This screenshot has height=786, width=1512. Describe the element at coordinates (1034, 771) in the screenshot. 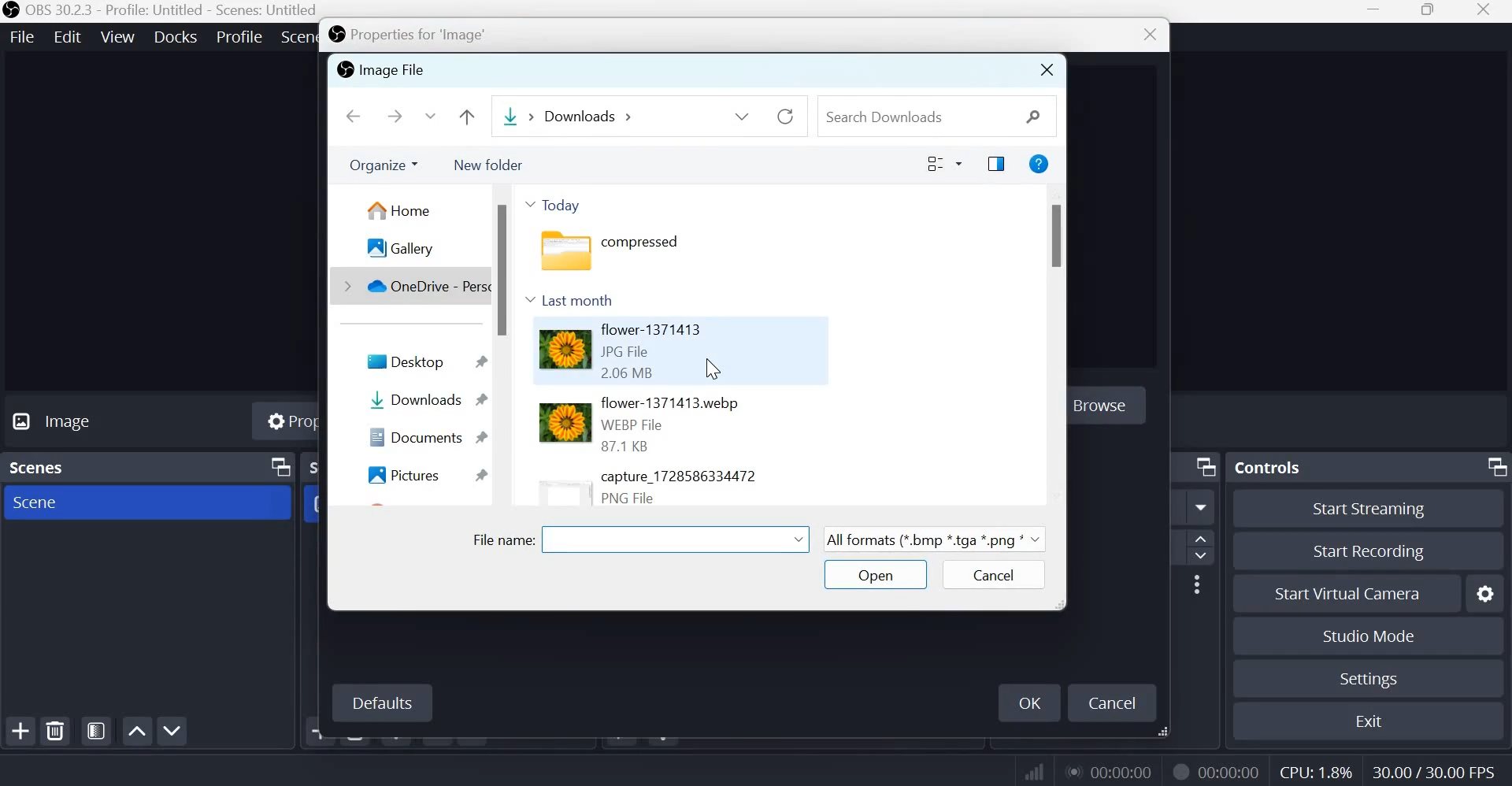

I see `Connection Status Indicator` at that location.